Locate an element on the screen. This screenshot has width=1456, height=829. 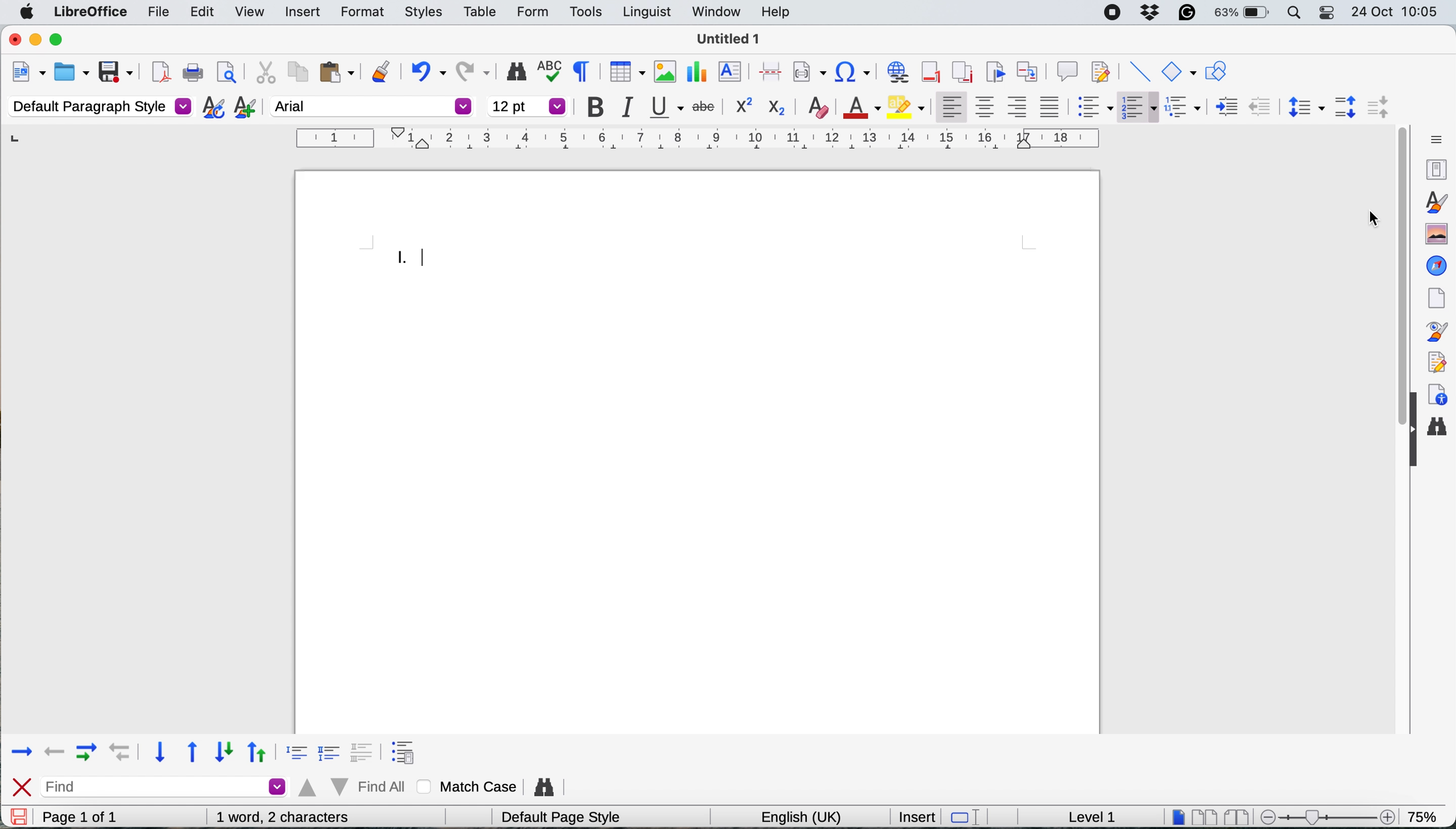
clear direct formatting is located at coordinates (819, 106).